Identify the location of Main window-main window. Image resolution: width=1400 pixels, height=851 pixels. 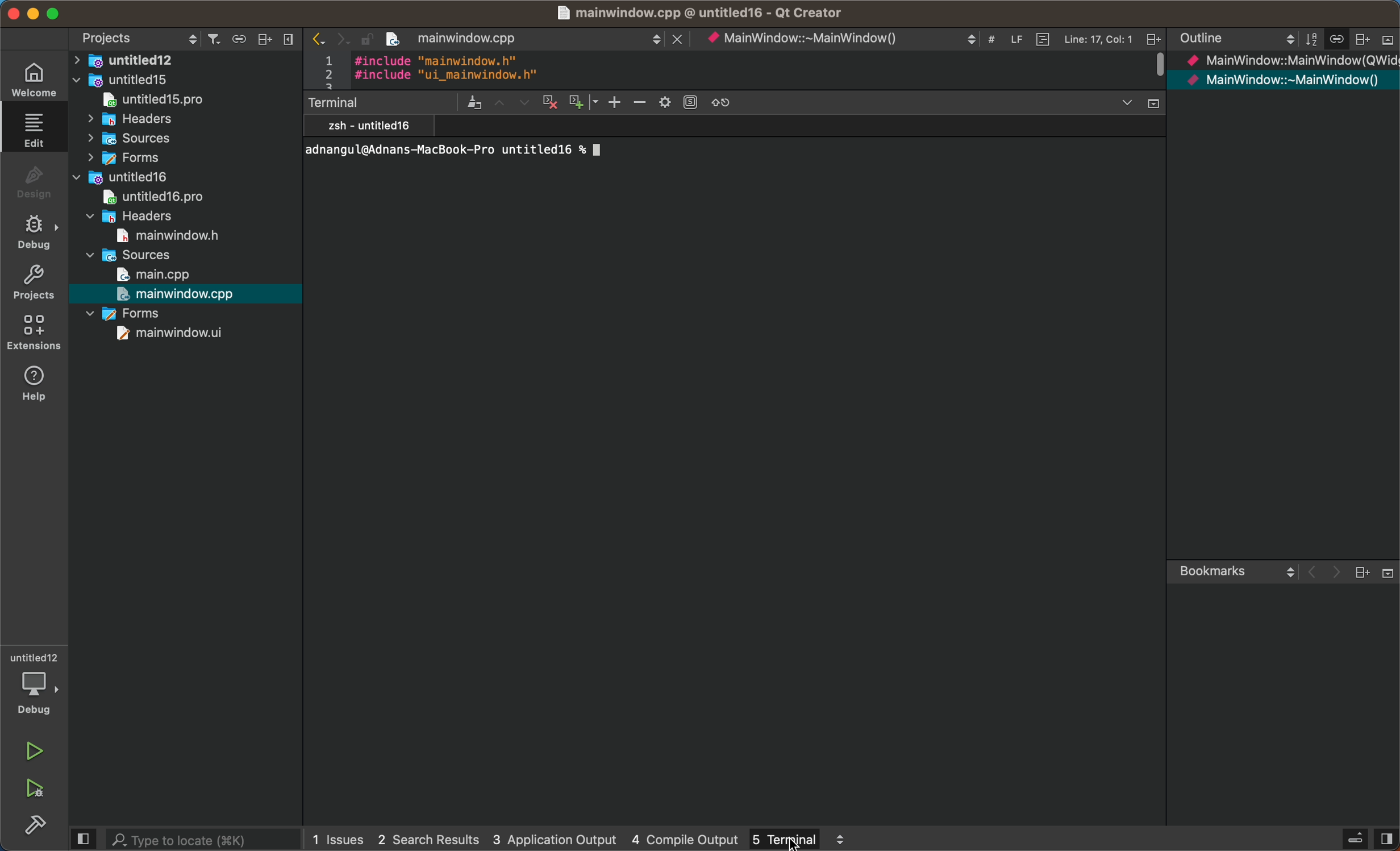
(1284, 82).